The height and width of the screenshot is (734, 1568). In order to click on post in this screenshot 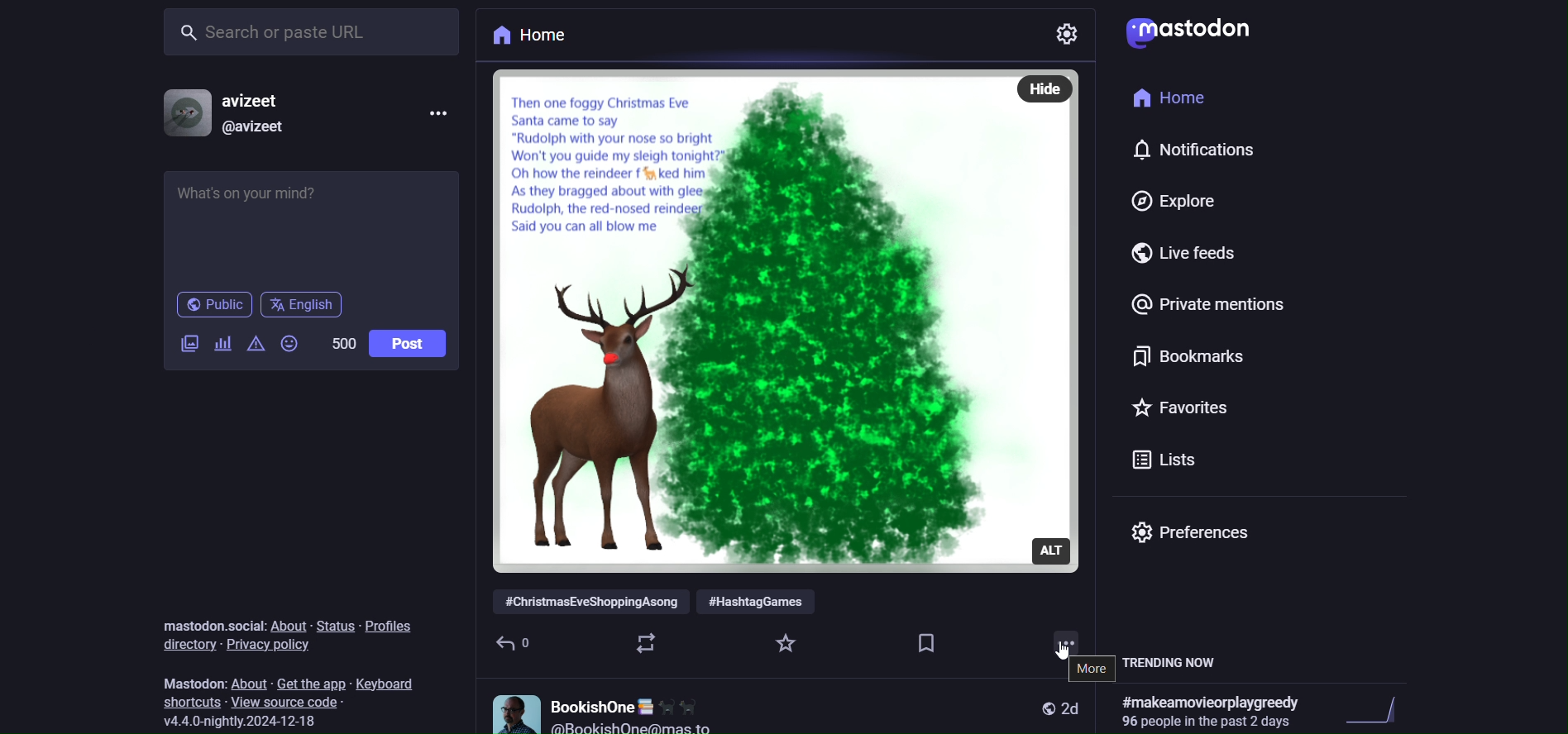, I will do `click(410, 342)`.